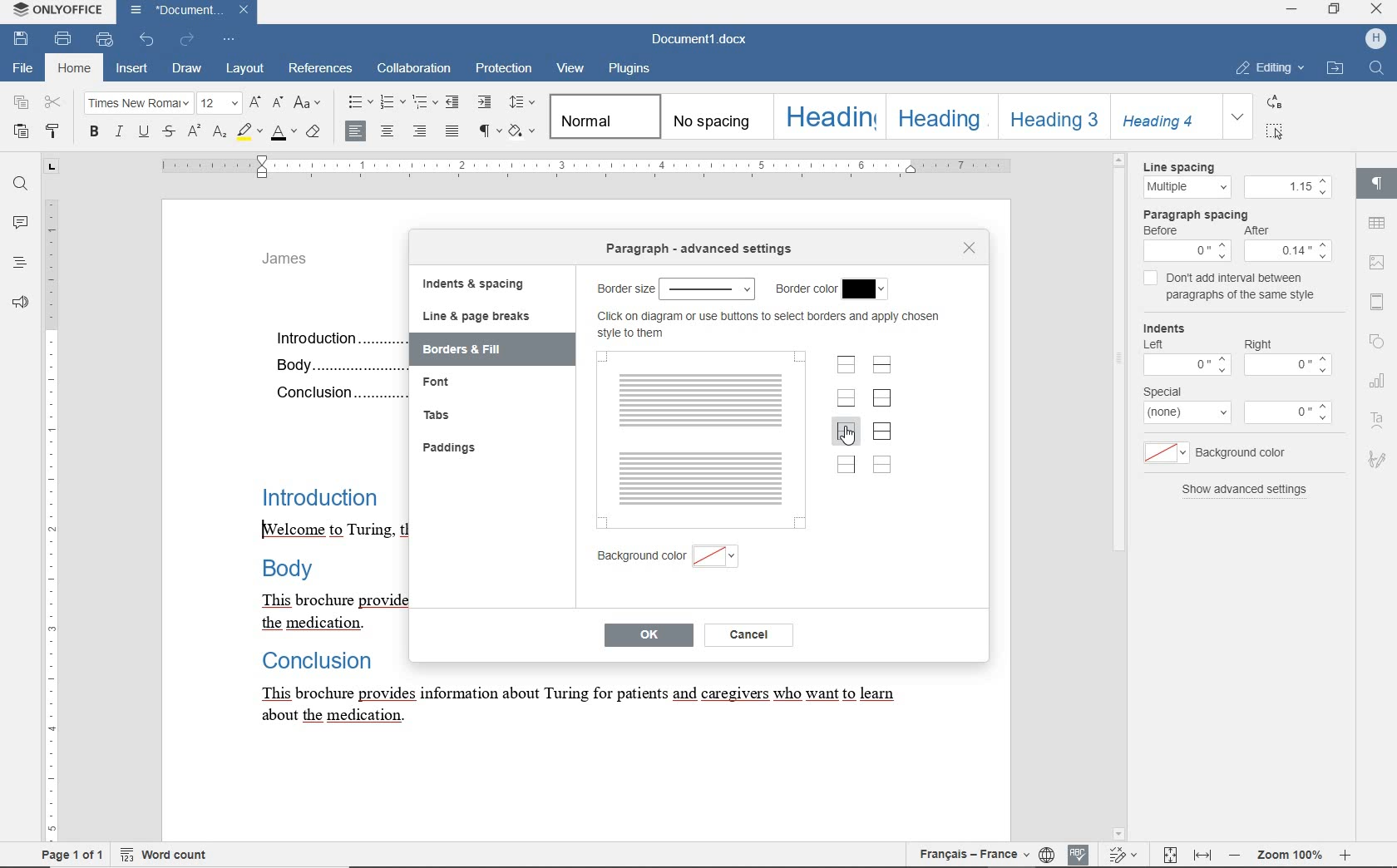 The image size is (1397, 868). I want to click on increment font size, so click(255, 103).